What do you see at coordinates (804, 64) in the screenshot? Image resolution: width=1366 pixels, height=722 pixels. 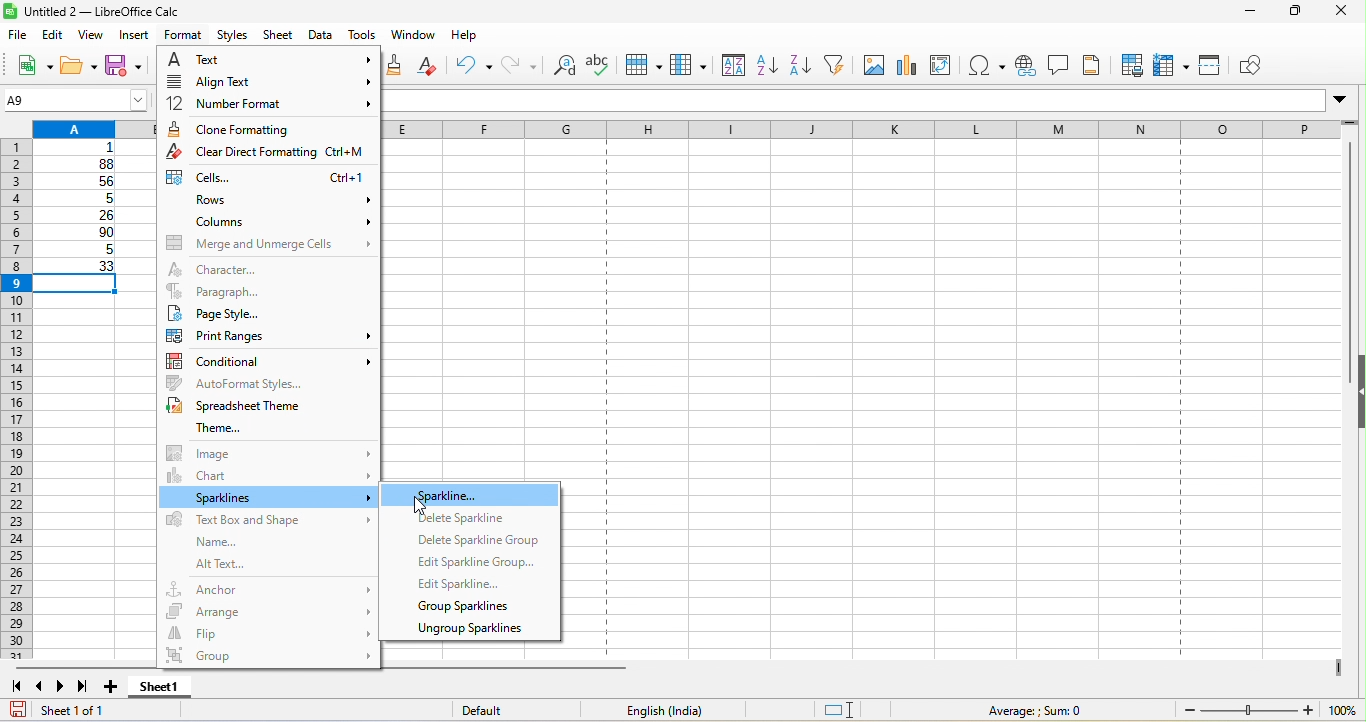 I see `sort descending` at bounding box center [804, 64].